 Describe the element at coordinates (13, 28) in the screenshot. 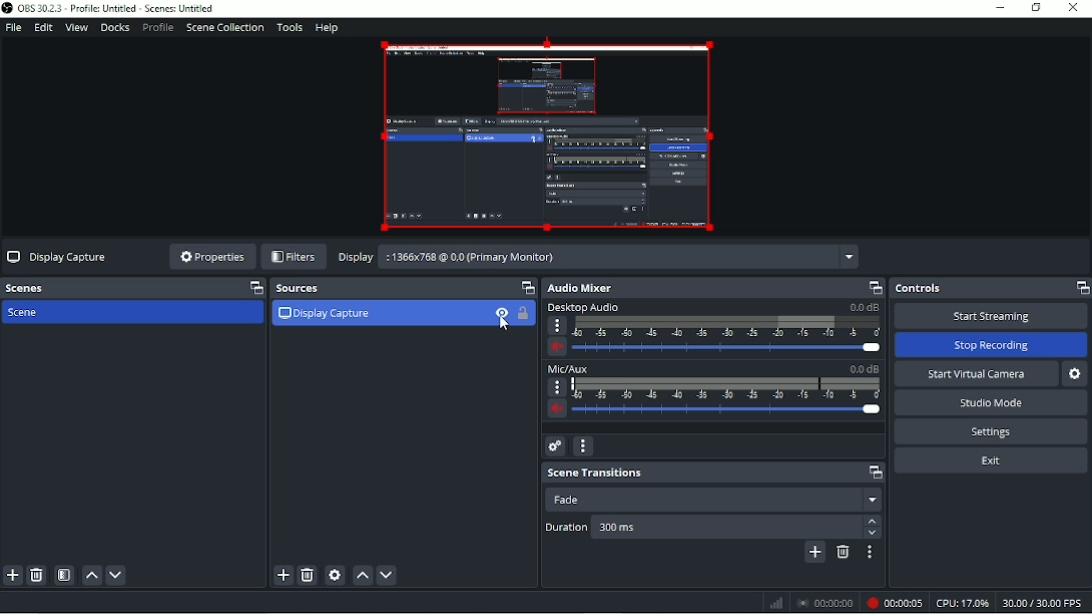

I see `File` at that location.